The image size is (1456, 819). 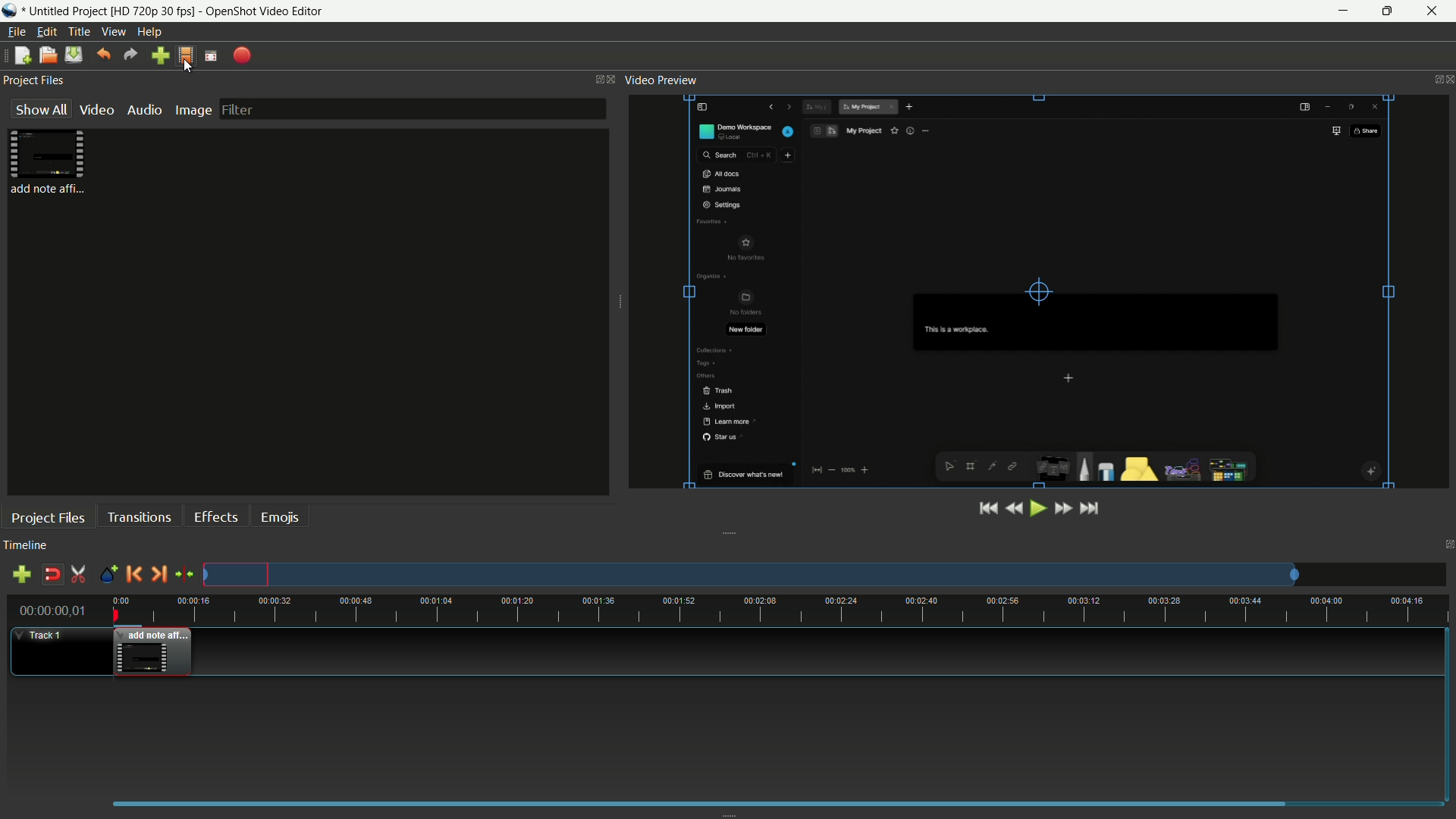 I want to click on add track, so click(x=21, y=575).